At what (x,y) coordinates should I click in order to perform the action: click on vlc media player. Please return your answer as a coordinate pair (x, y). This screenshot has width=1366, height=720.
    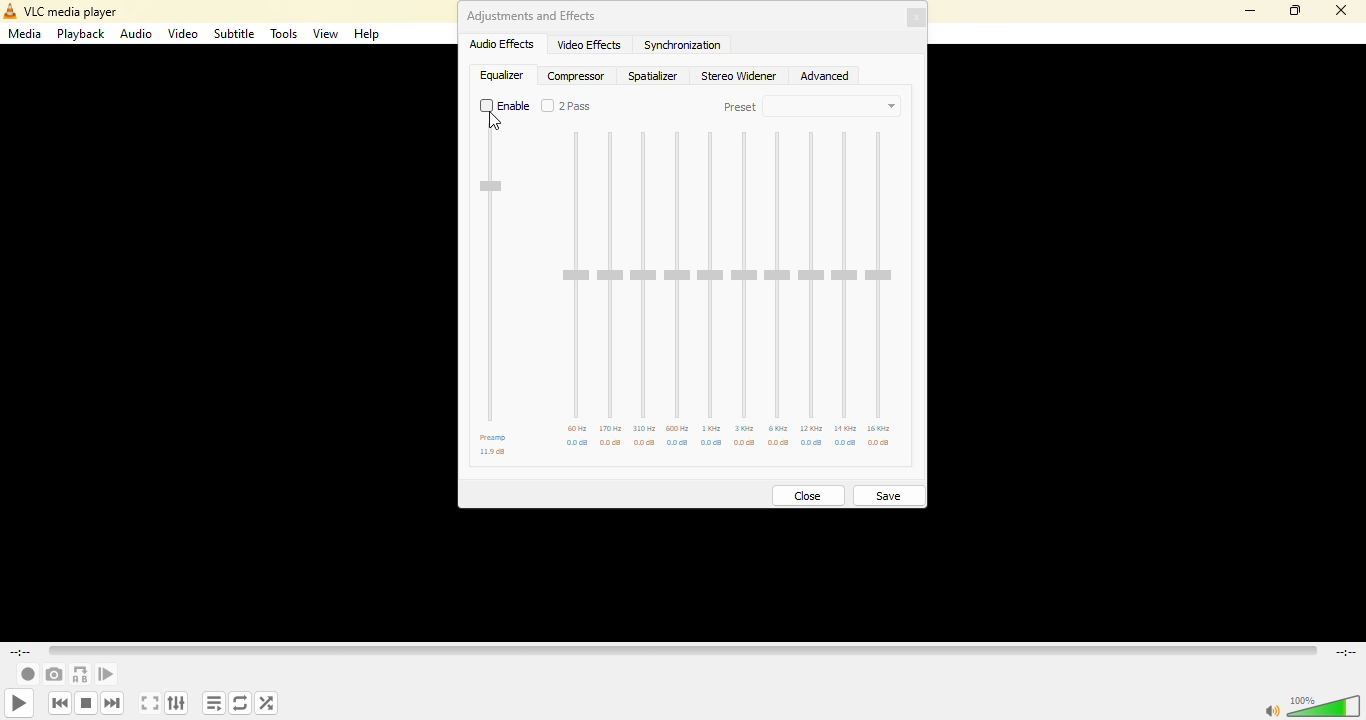
    Looking at the image, I should click on (61, 12).